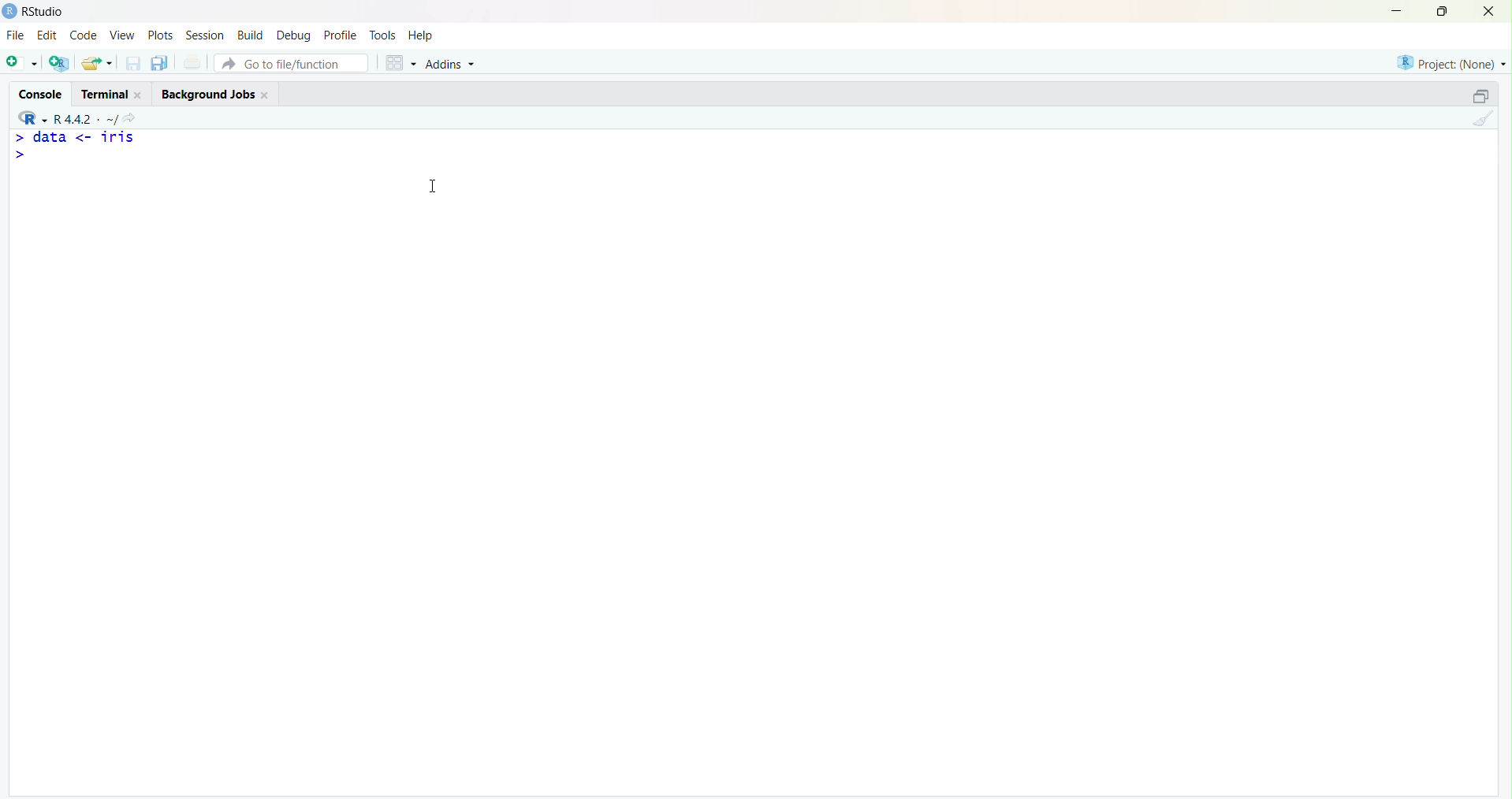  What do you see at coordinates (82, 35) in the screenshot?
I see `Code` at bounding box center [82, 35].